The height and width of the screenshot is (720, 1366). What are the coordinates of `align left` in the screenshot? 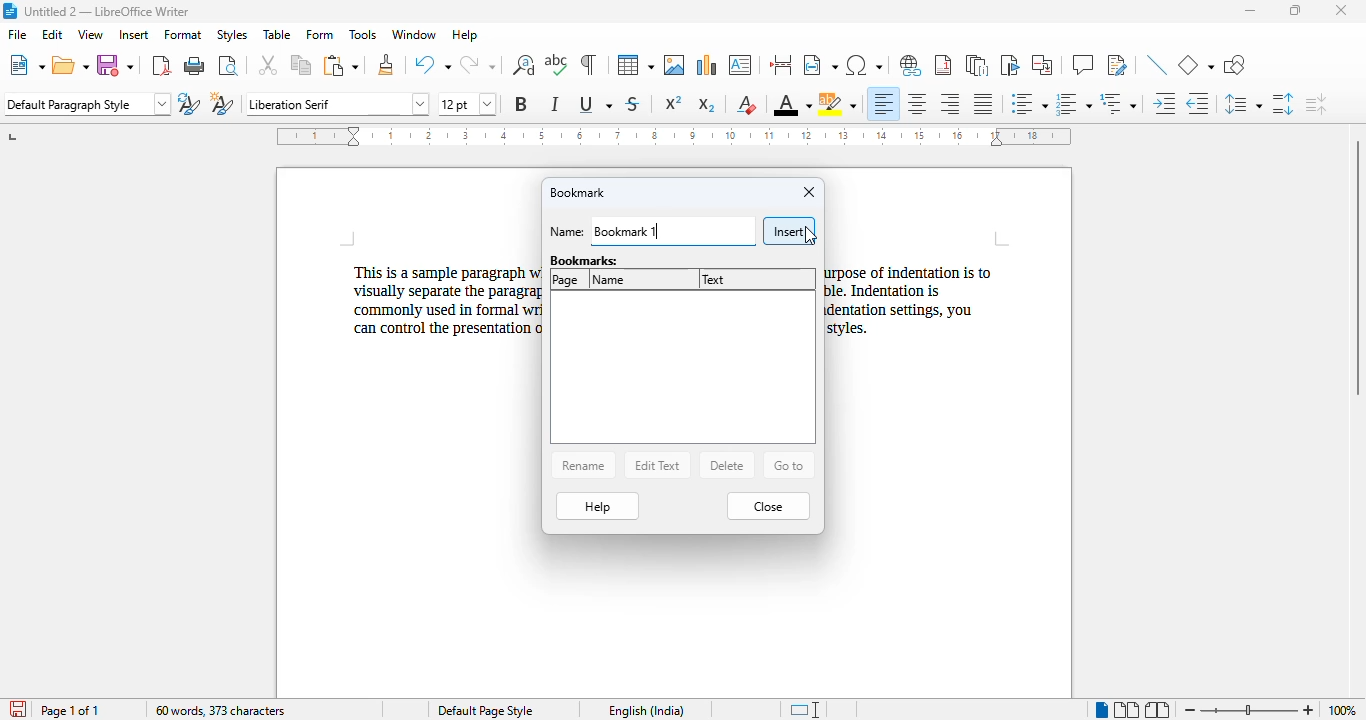 It's located at (882, 104).